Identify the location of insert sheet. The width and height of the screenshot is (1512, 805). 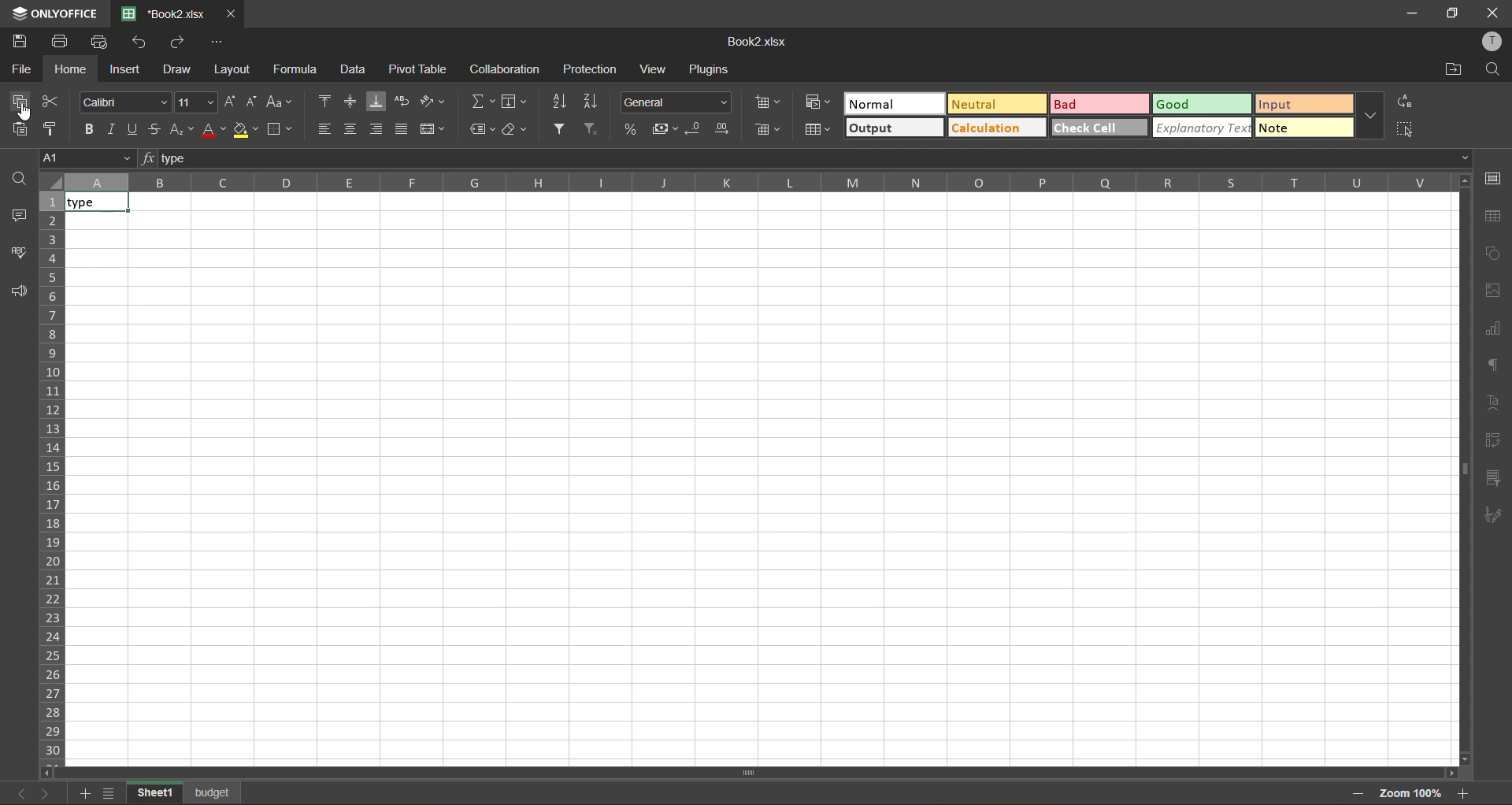
(82, 793).